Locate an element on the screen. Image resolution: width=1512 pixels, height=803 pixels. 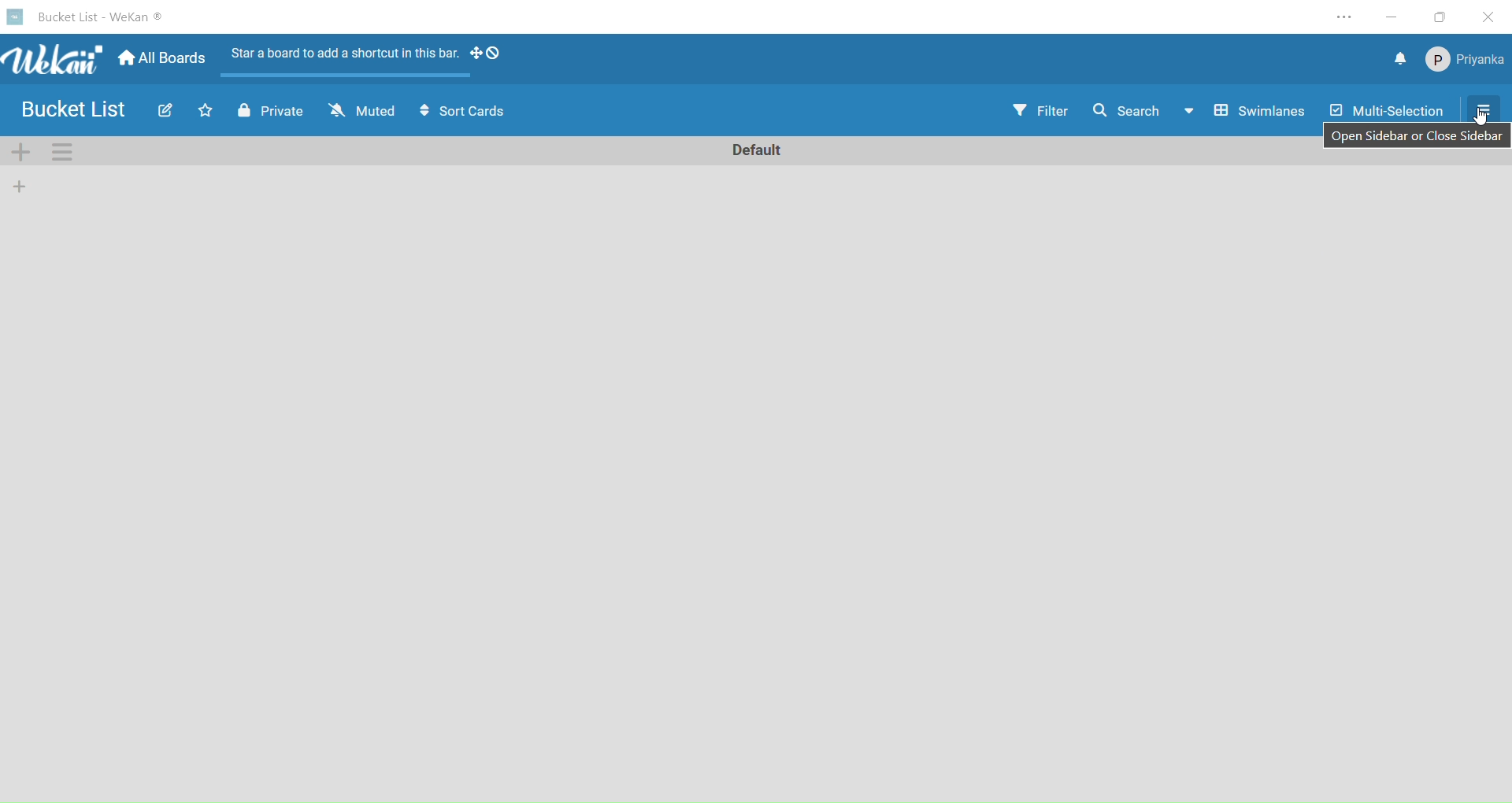
muted is located at coordinates (360, 111).